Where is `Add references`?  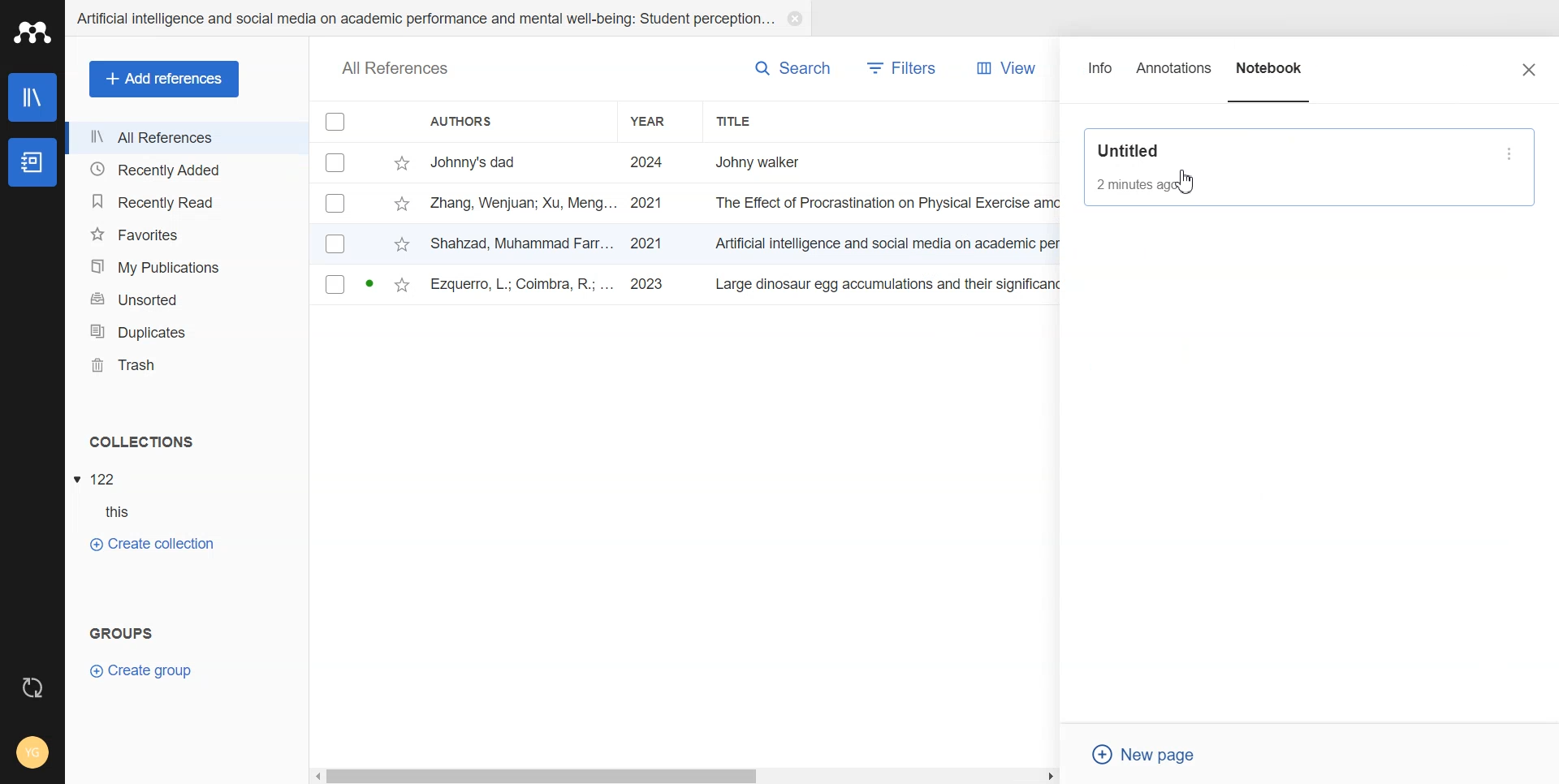
Add references is located at coordinates (165, 80).